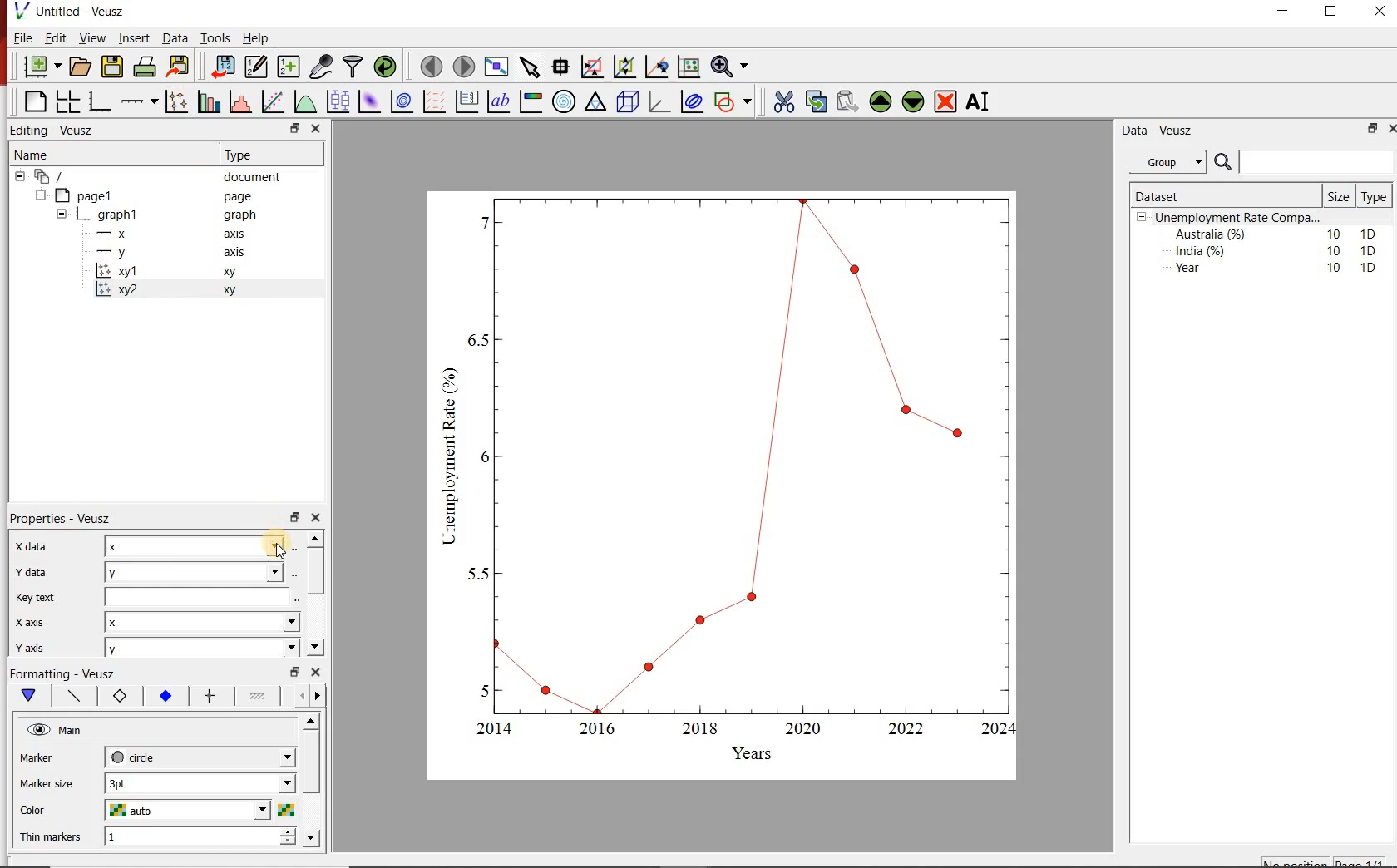 The height and width of the screenshot is (868, 1397). Describe the element at coordinates (562, 66) in the screenshot. I see `read the data points` at that location.